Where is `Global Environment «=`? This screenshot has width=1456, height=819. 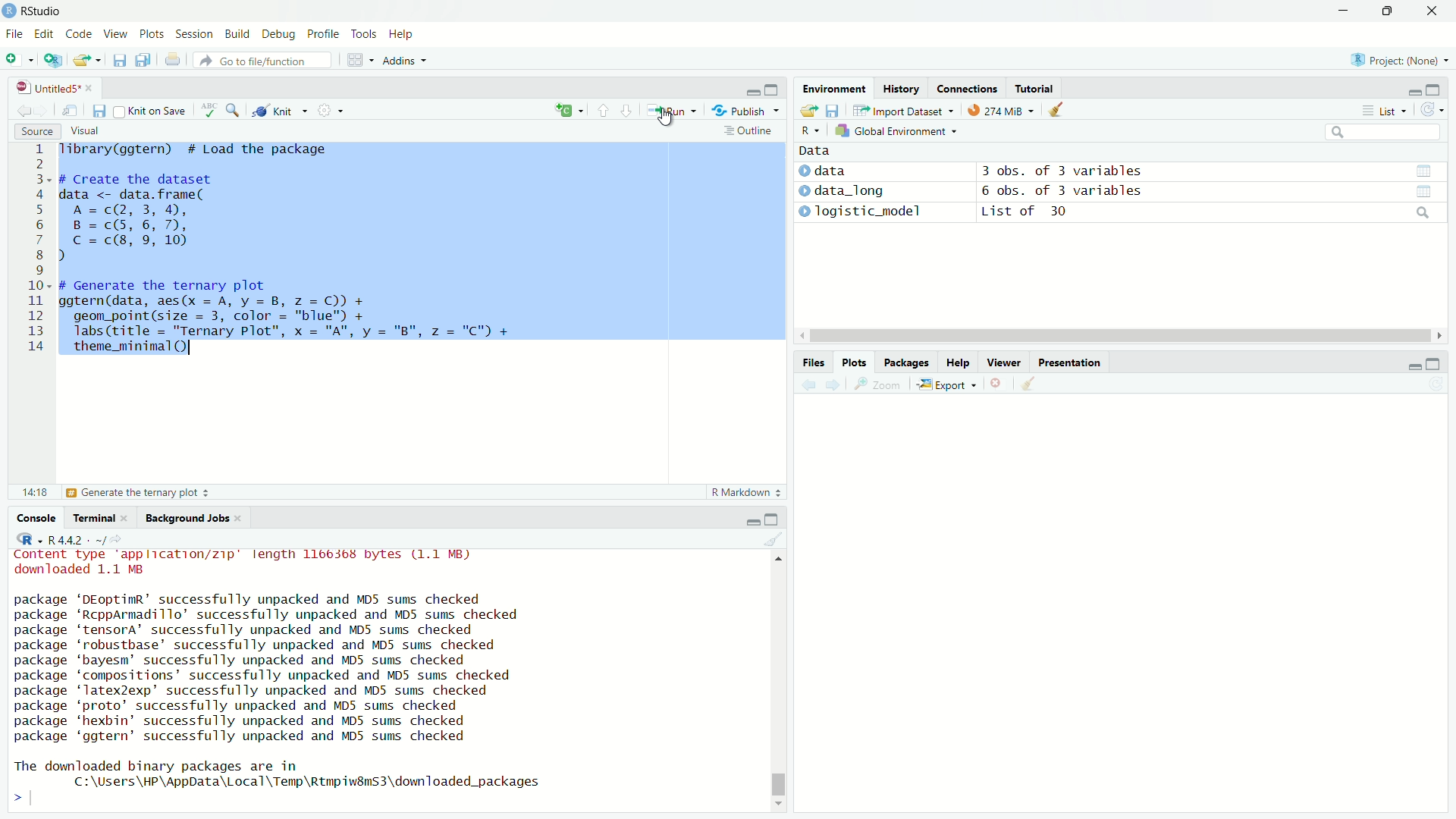
Global Environment «= is located at coordinates (898, 130).